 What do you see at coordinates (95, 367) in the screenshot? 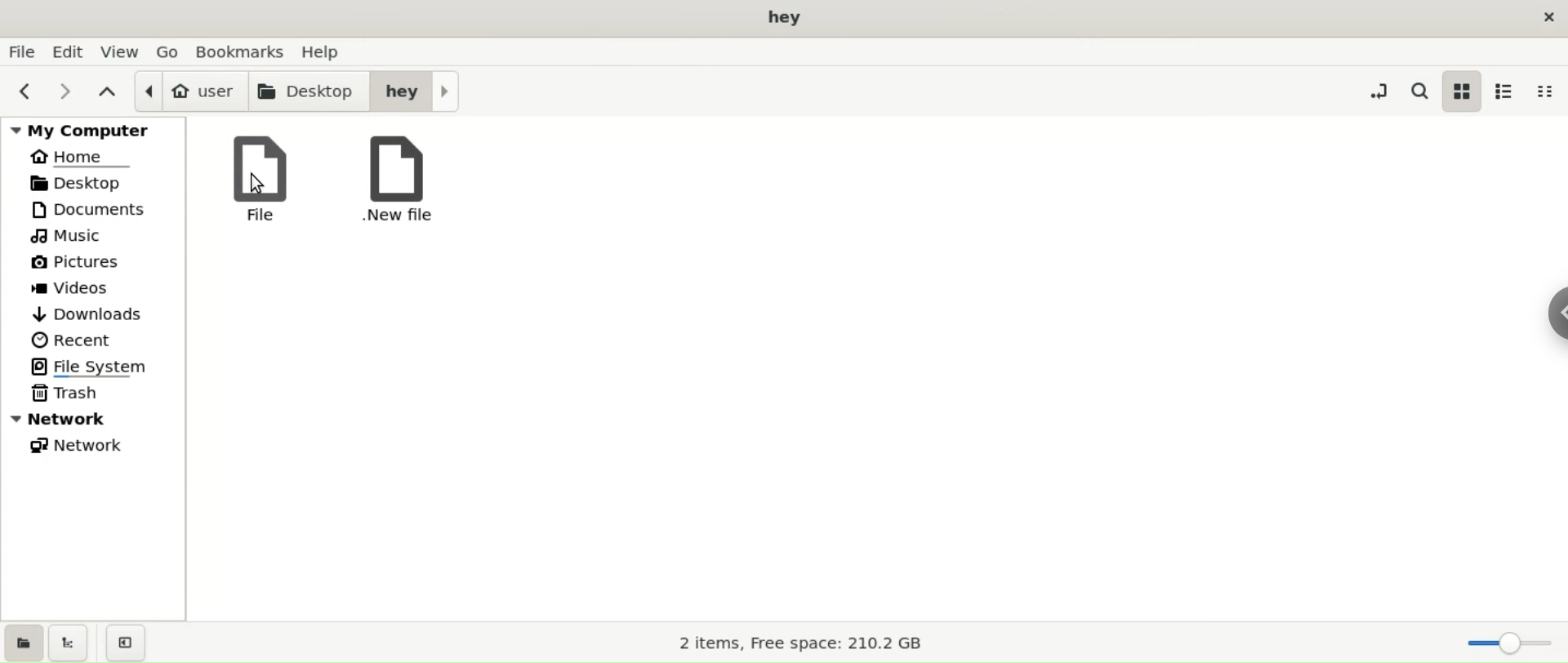
I see `filesystem` at bounding box center [95, 367].